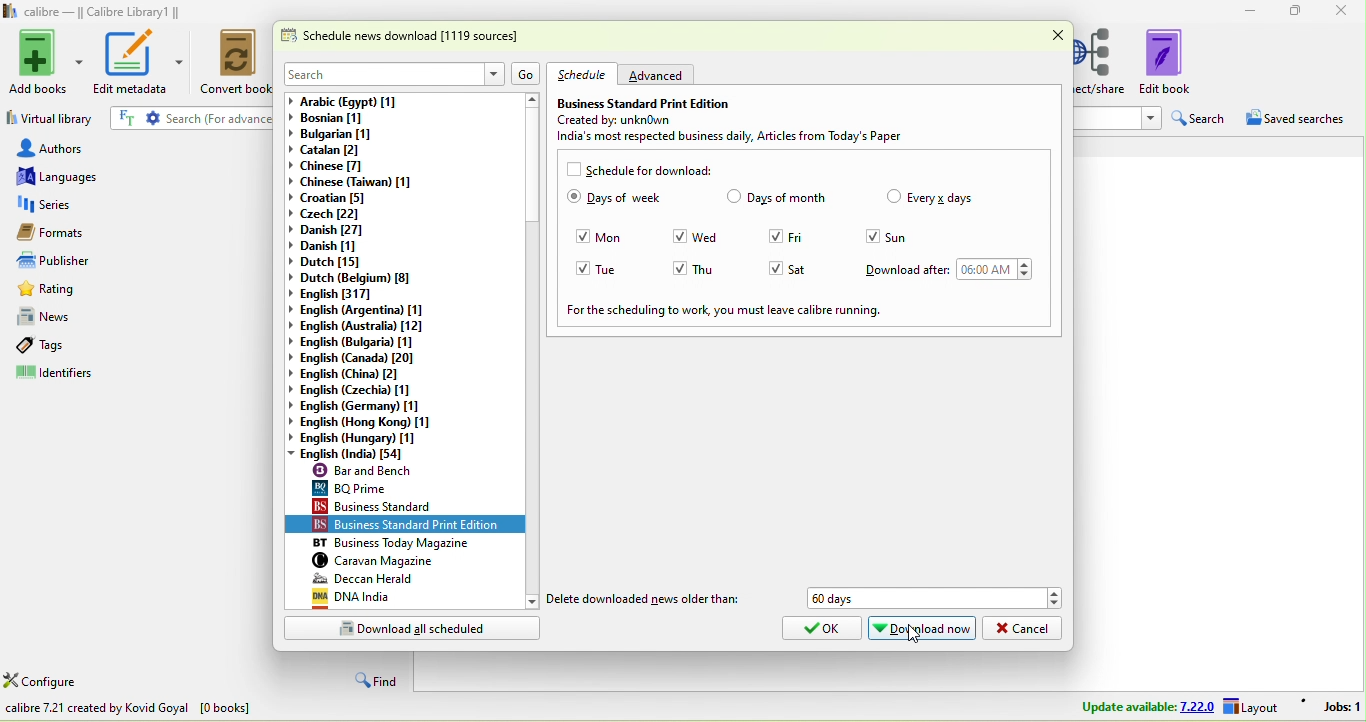 The width and height of the screenshot is (1366, 722). I want to click on Checkbox, so click(572, 198).